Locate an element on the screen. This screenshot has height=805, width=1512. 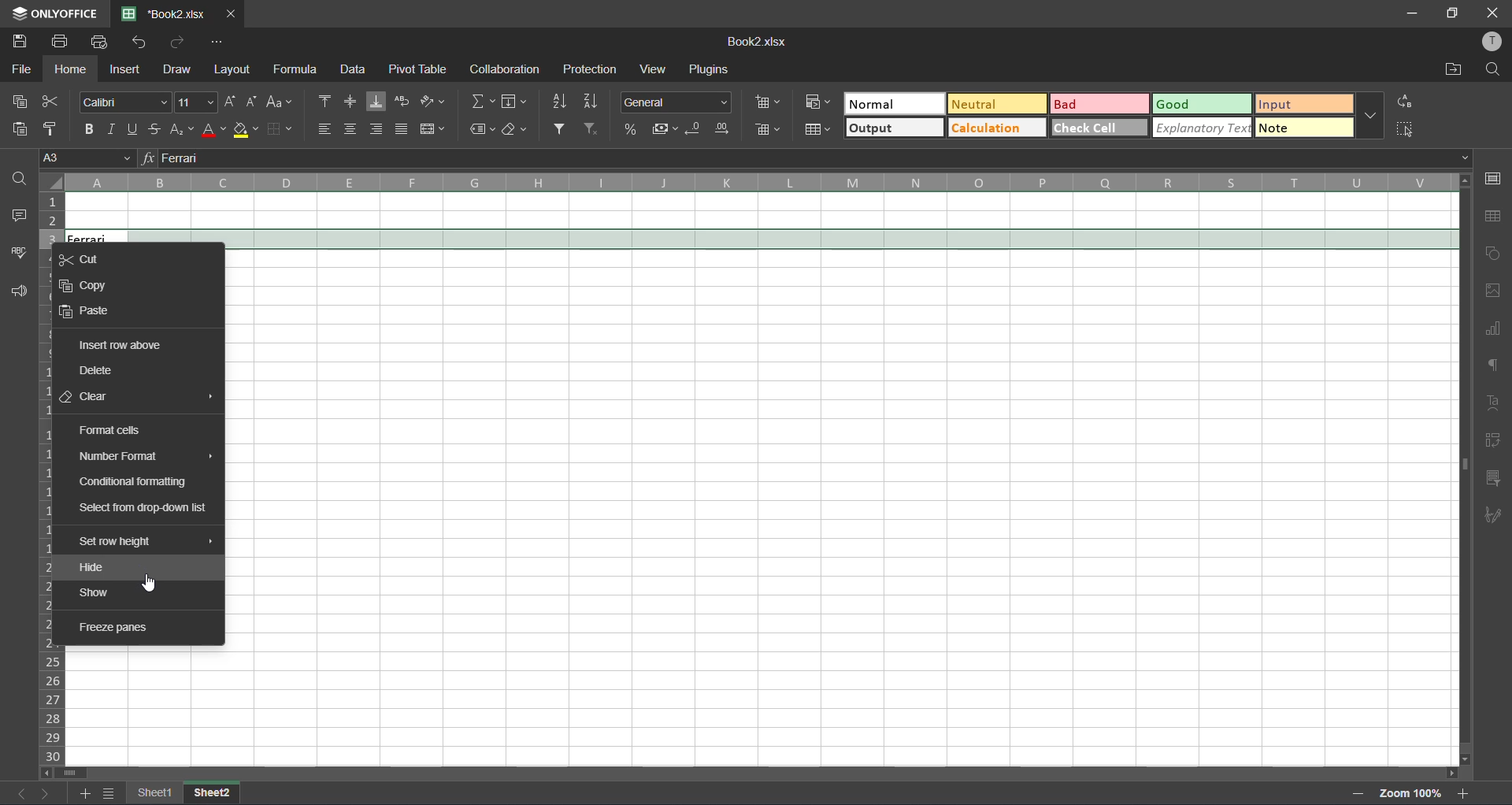
align center is located at coordinates (350, 128).